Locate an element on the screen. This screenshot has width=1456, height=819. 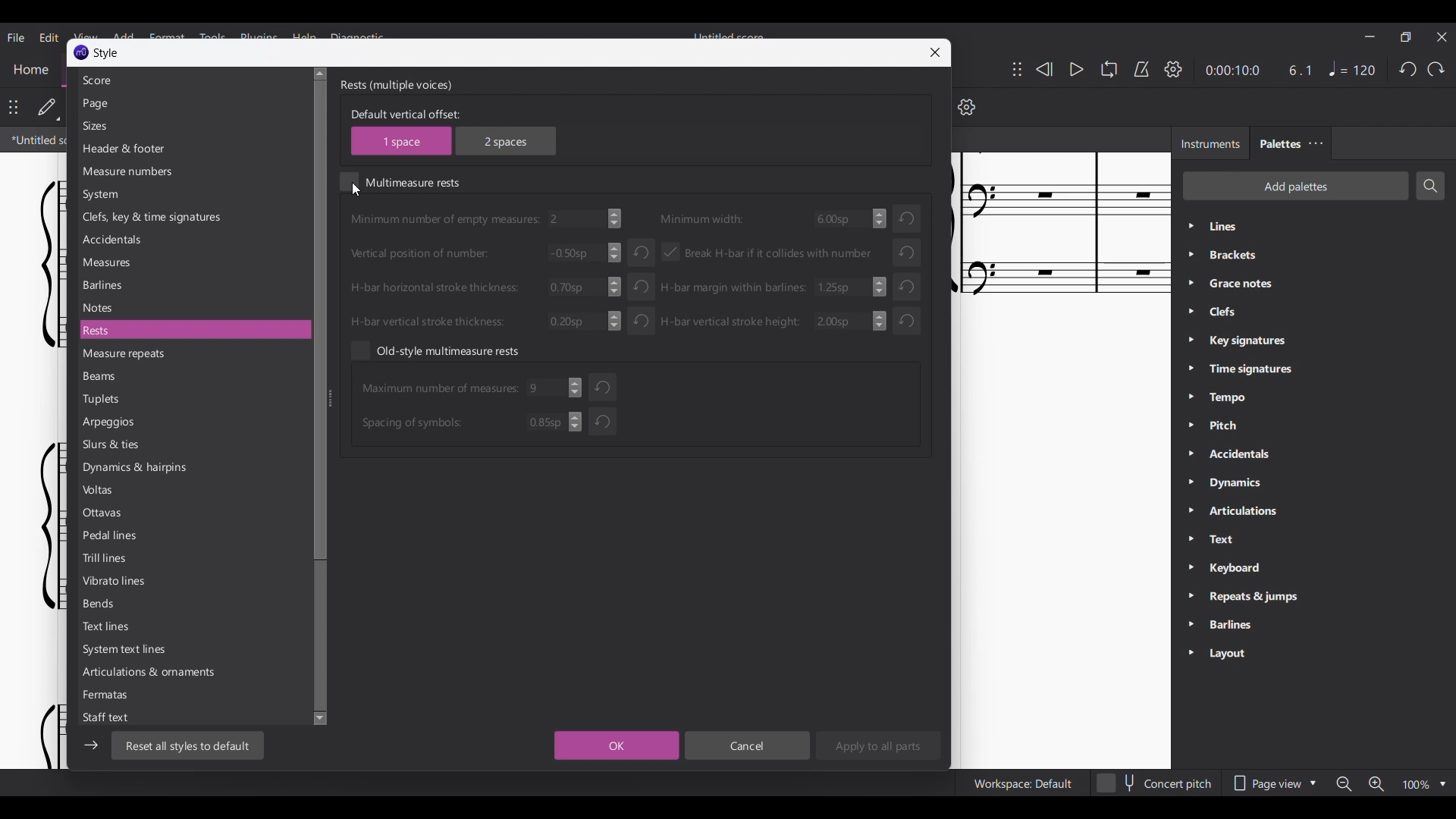
Cancel inputs made is located at coordinates (747, 746).